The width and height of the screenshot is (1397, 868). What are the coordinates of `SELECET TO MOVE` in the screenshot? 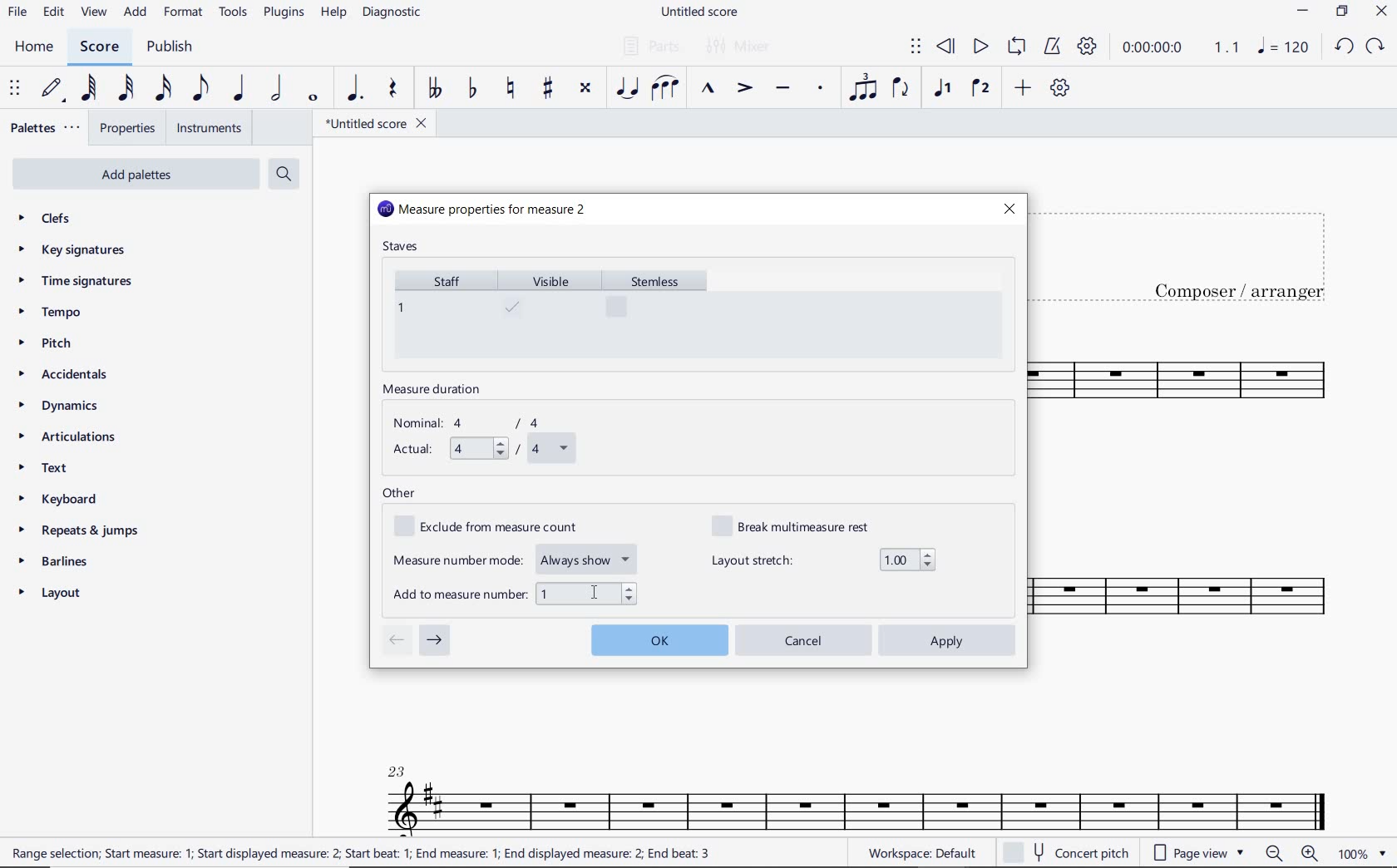 It's located at (15, 90).